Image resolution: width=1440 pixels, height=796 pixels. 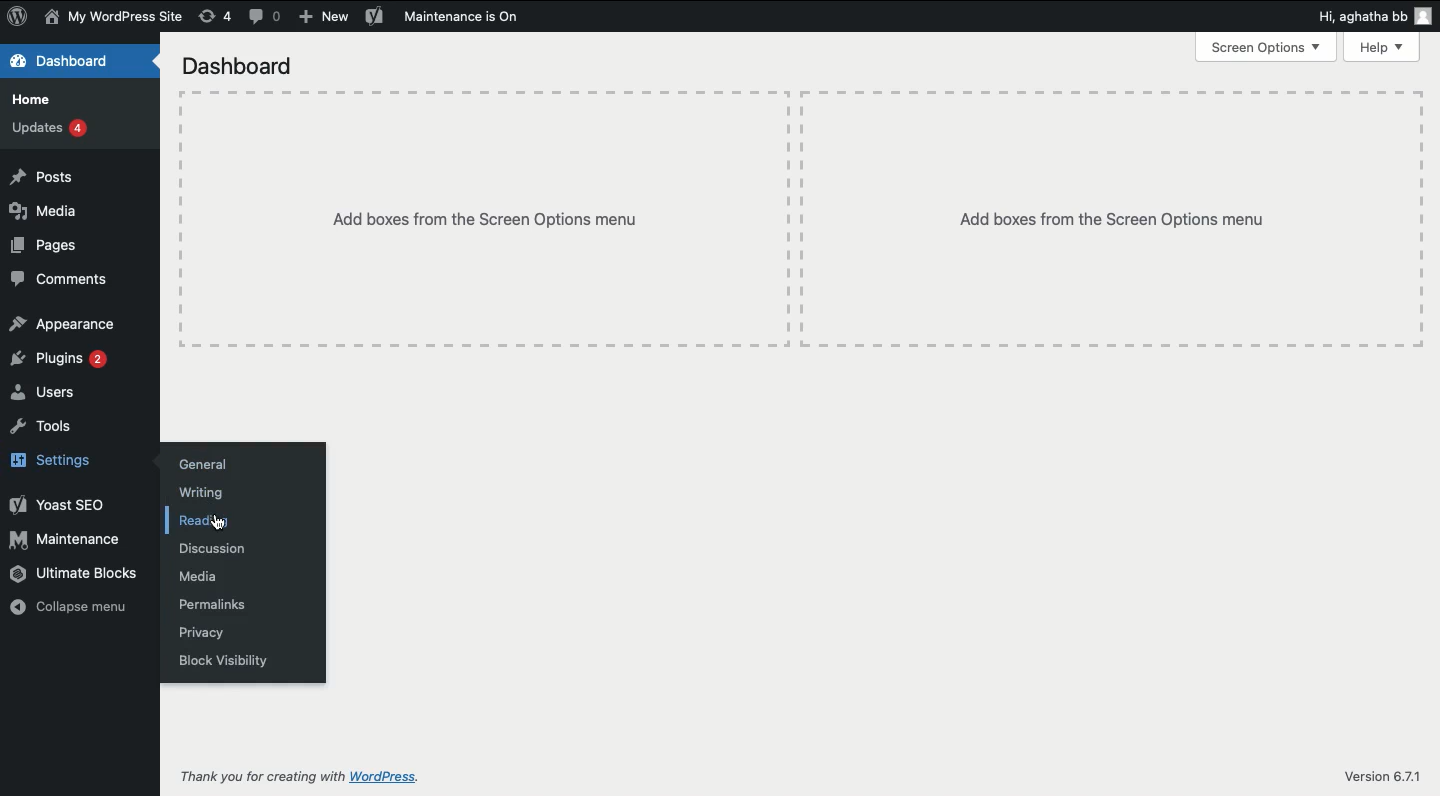 I want to click on plugins 2, so click(x=60, y=357).